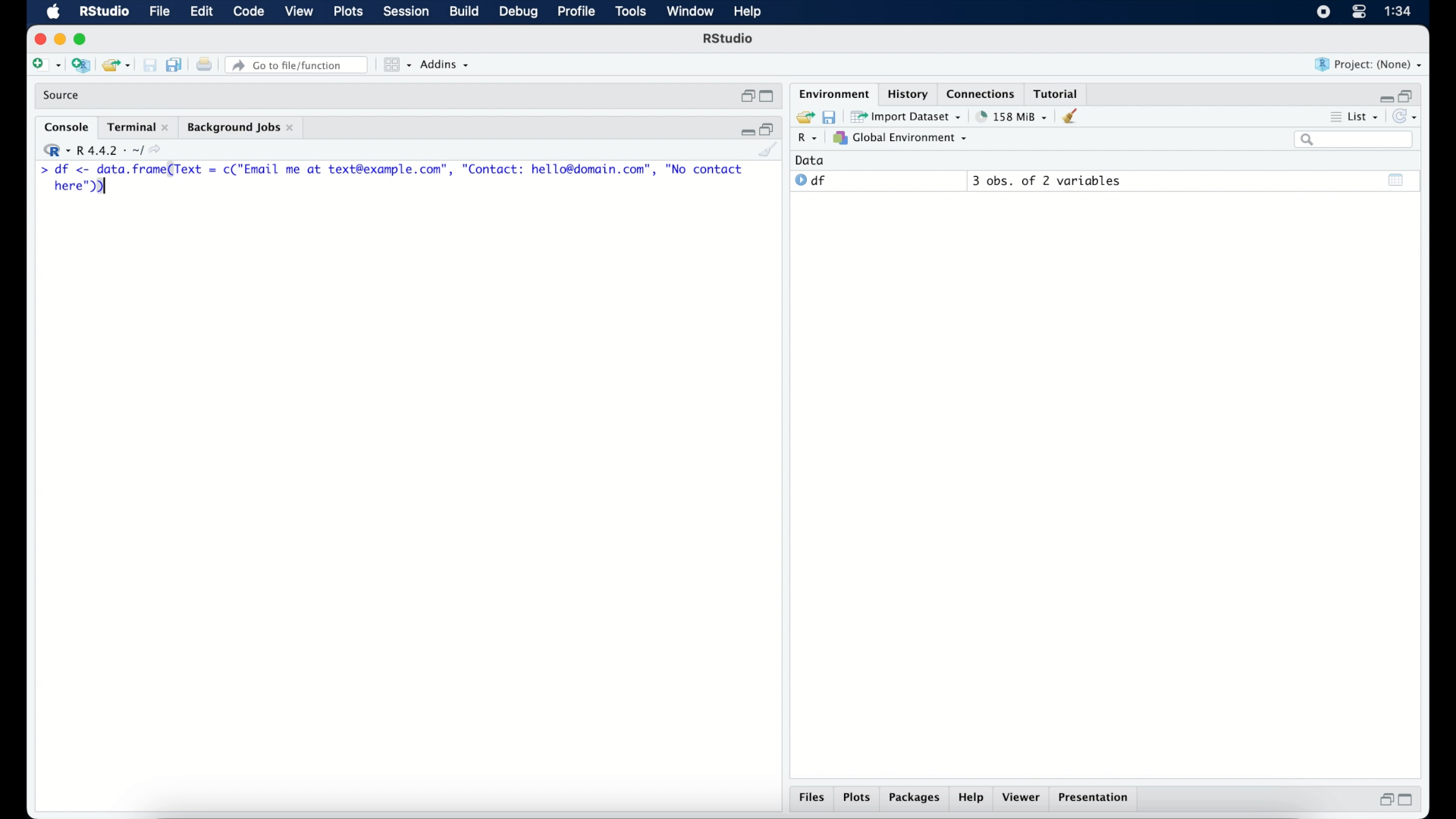  Describe the element at coordinates (770, 129) in the screenshot. I see `restore down` at that location.